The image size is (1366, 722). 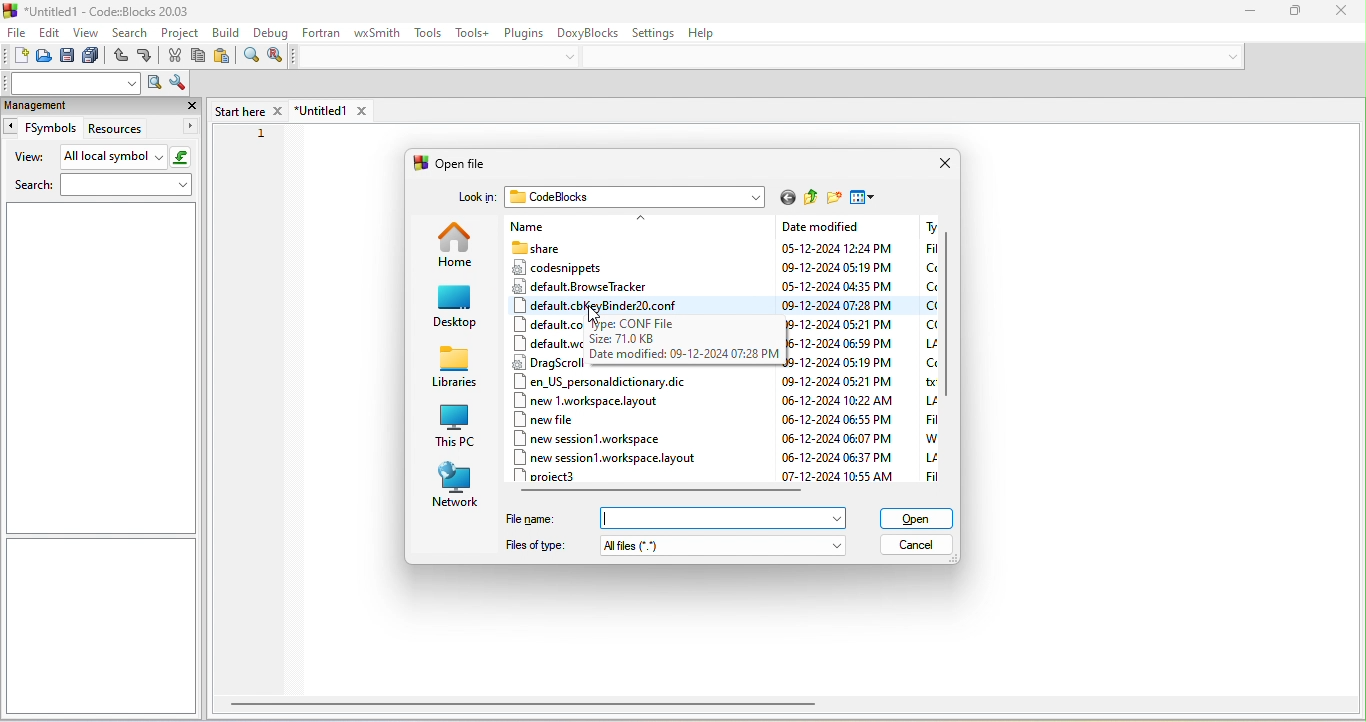 I want to click on date, so click(x=835, y=477).